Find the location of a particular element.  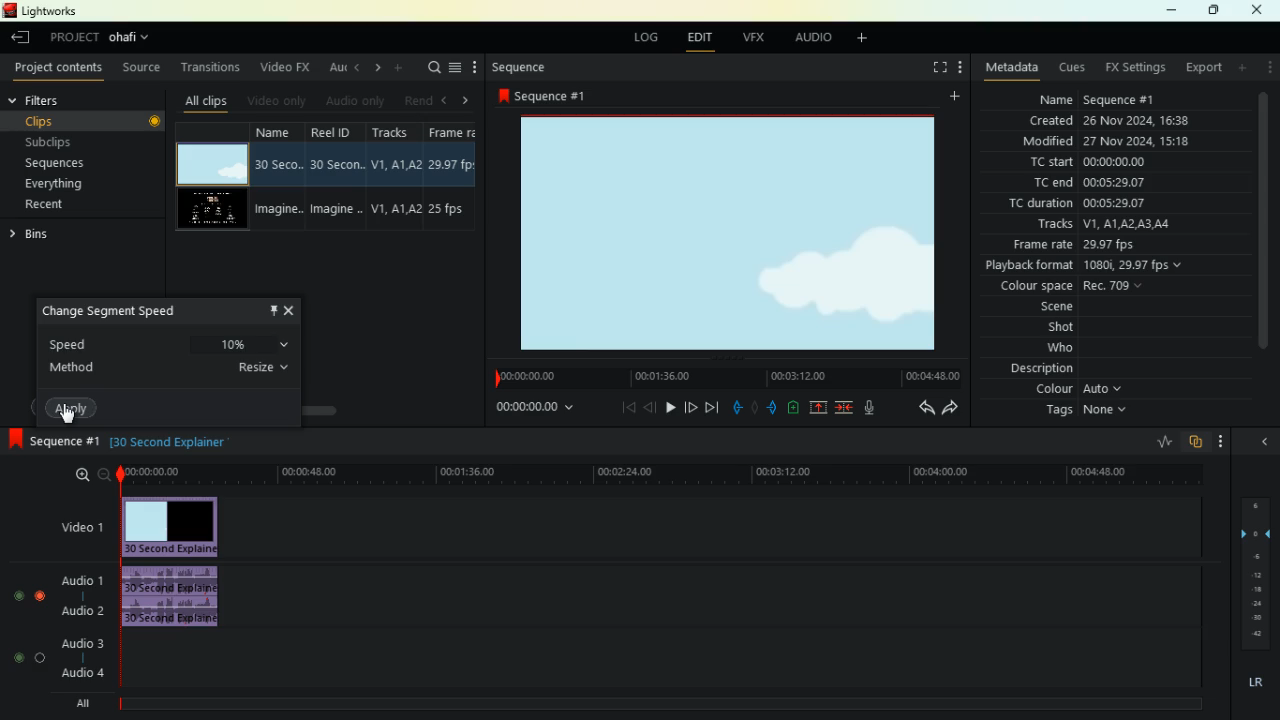

push is located at coordinates (774, 408).